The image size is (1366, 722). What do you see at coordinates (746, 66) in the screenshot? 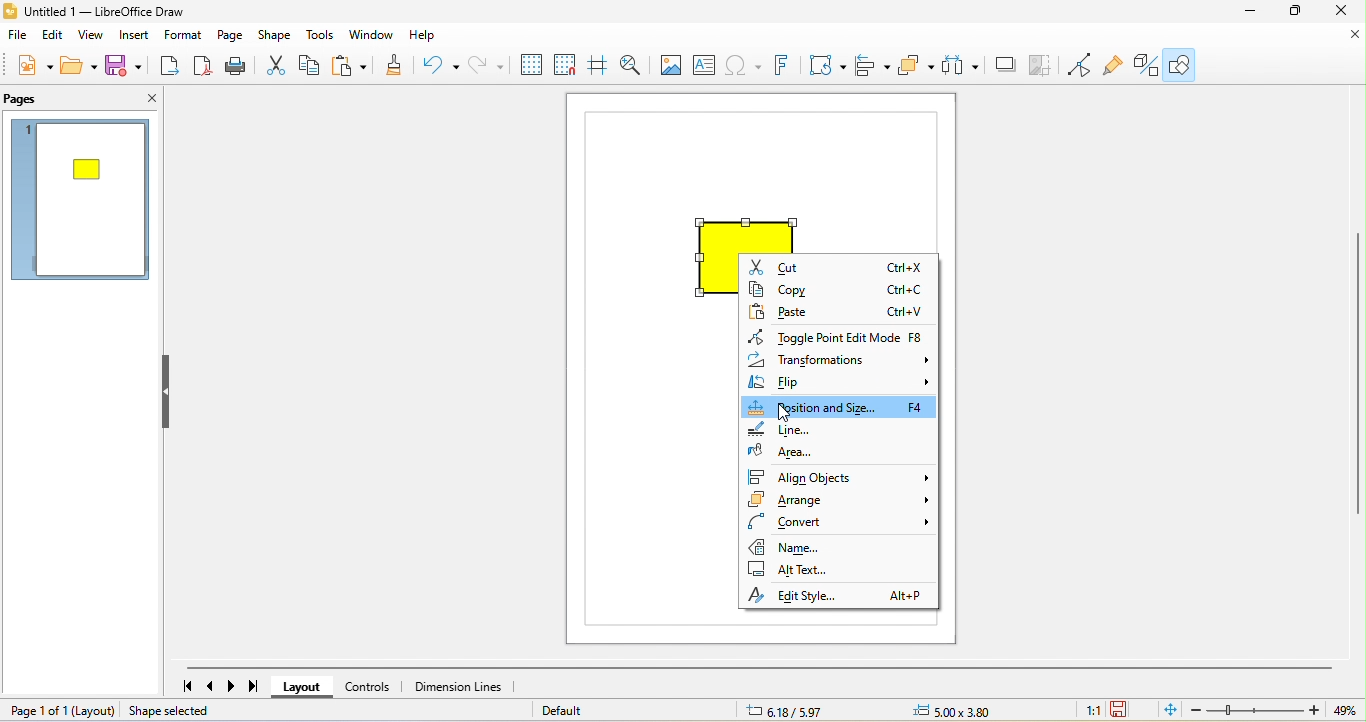
I see `special character` at bounding box center [746, 66].